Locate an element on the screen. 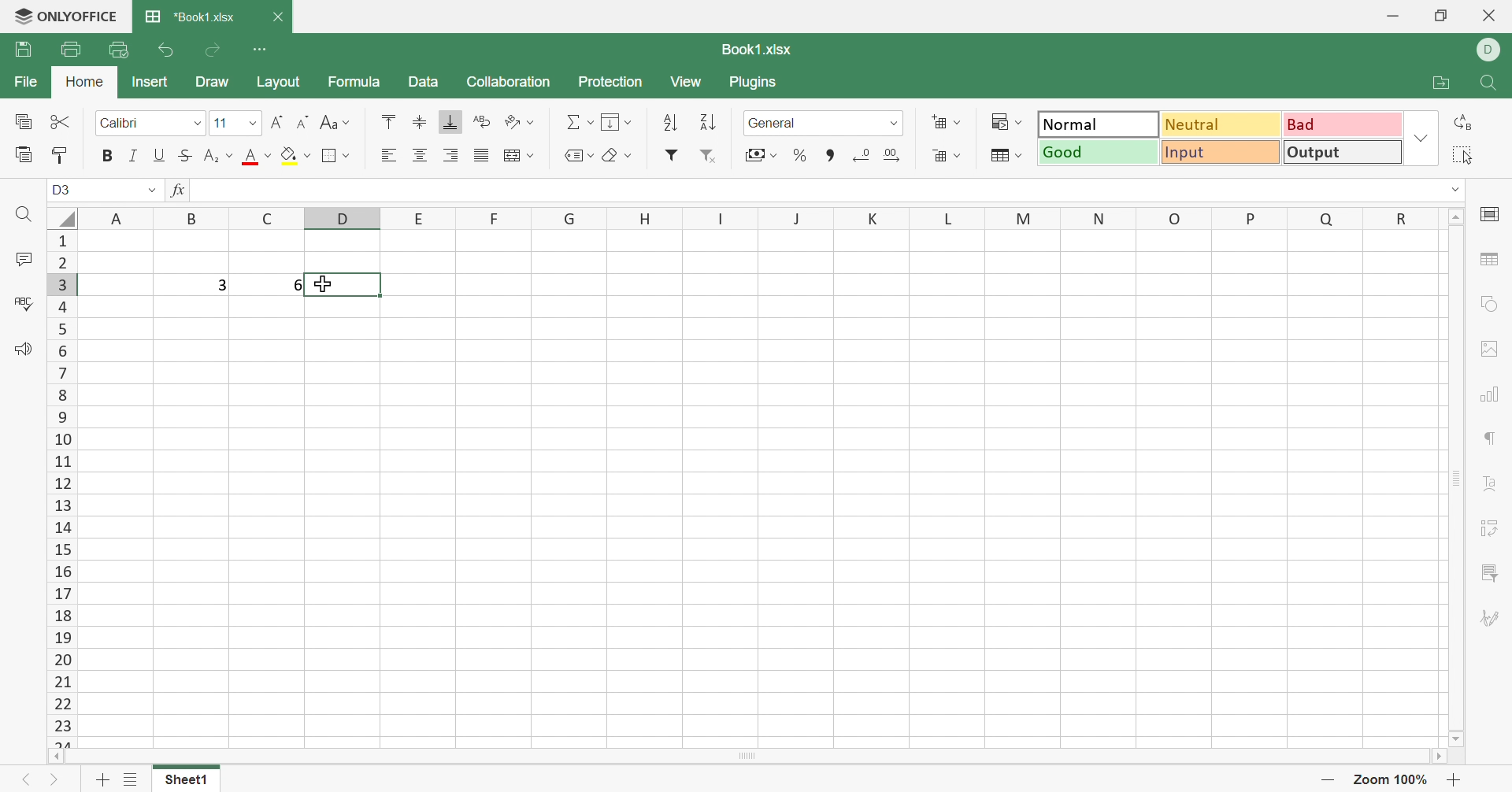 The width and height of the screenshot is (1512, 792). Align top is located at coordinates (421, 123).